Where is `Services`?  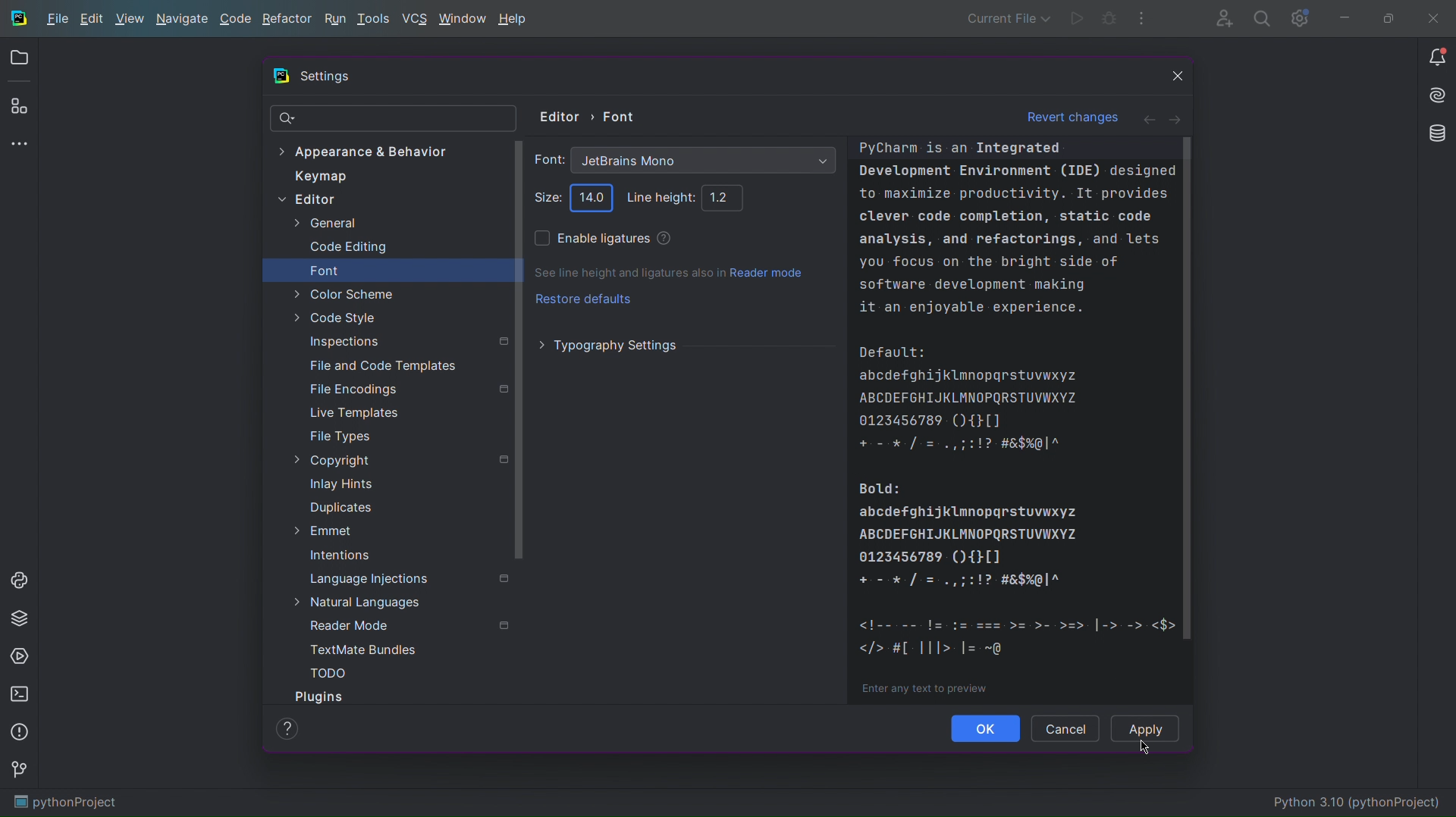
Services is located at coordinates (21, 658).